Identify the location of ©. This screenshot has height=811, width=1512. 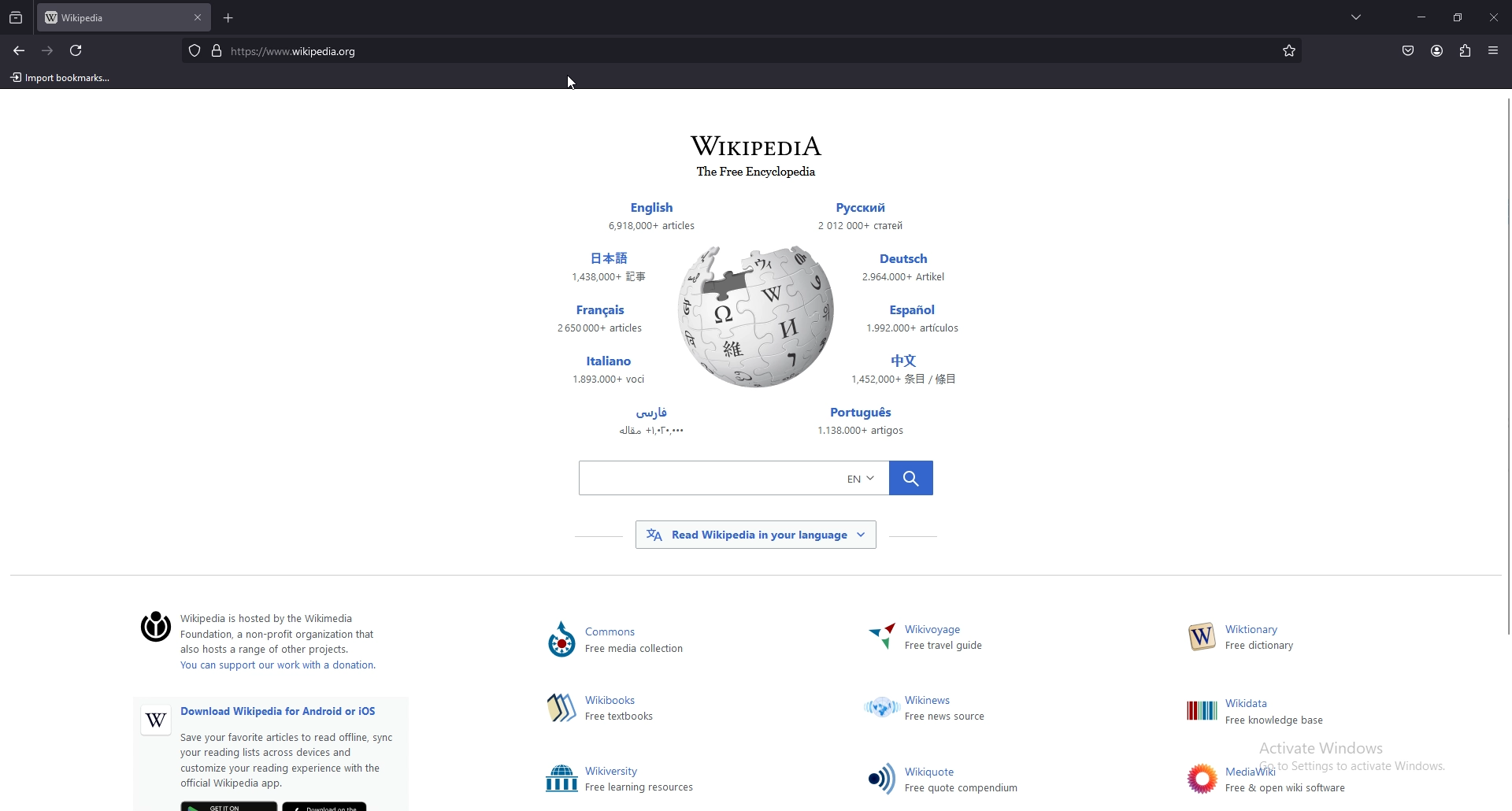
(150, 628).